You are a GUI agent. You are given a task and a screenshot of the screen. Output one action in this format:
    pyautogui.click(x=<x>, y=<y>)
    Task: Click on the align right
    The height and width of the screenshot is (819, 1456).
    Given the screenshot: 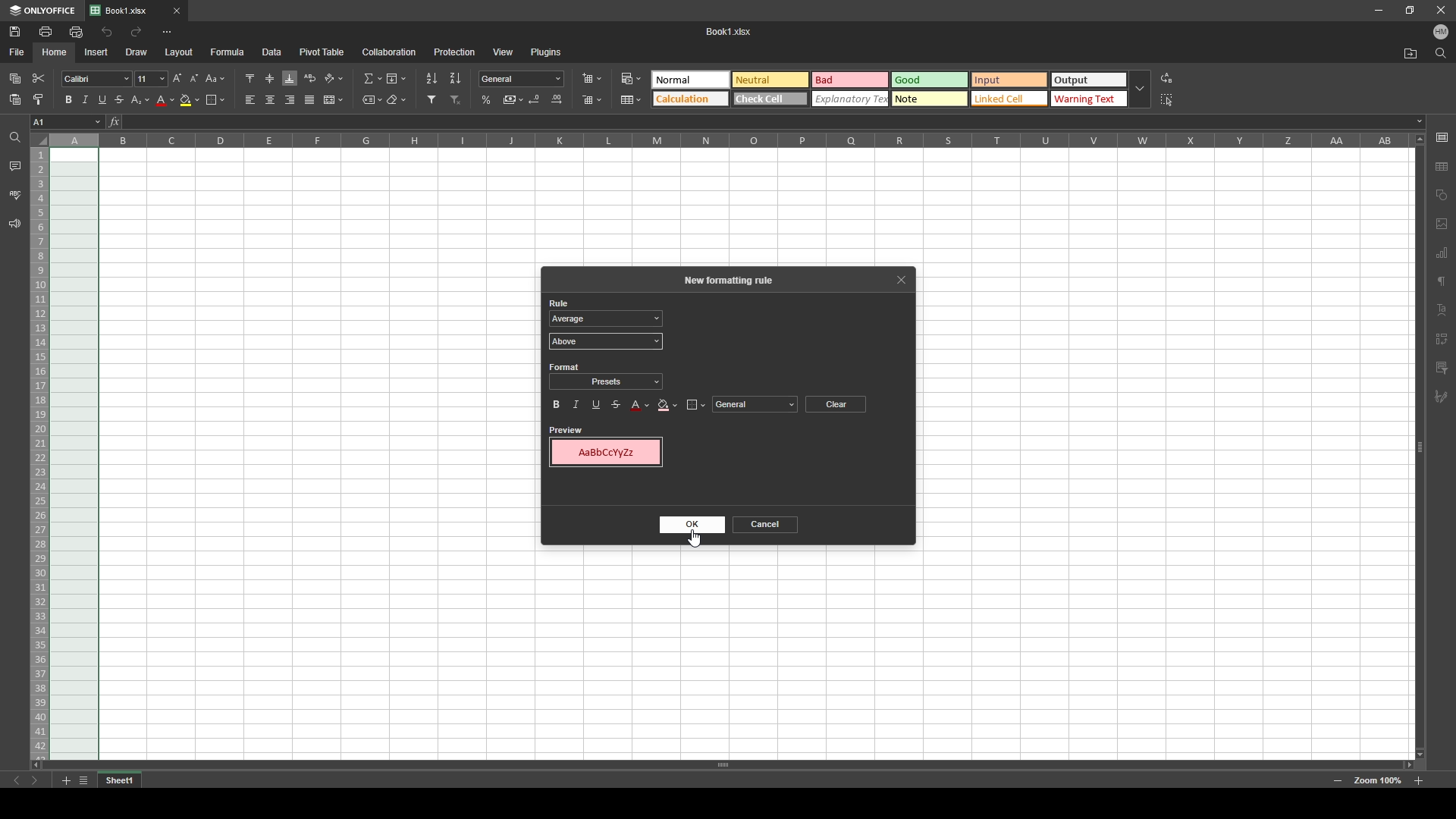 What is the action you would take?
    pyautogui.click(x=290, y=100)
    